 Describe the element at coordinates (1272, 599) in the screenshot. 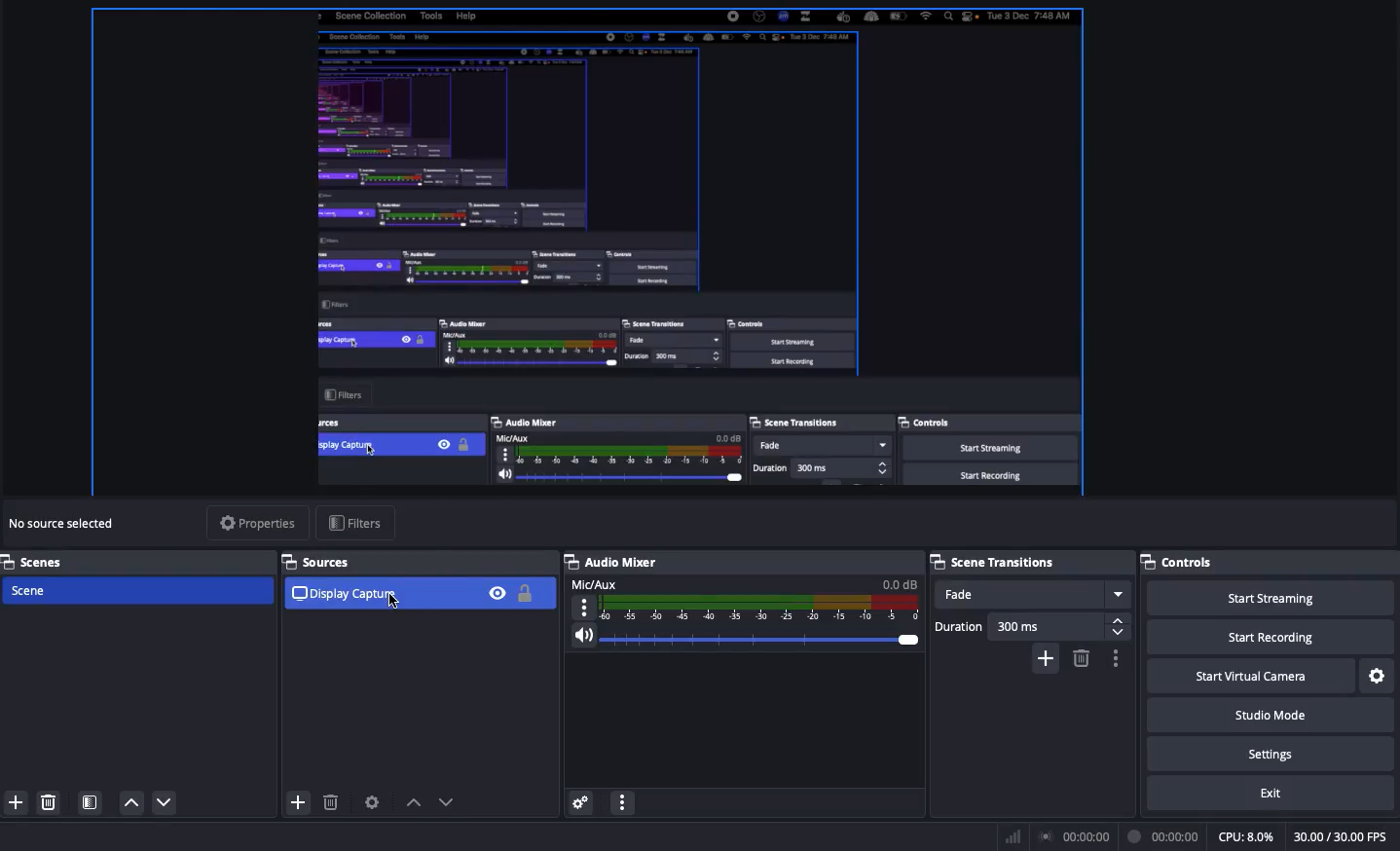

I see `Start streaming` at that location.